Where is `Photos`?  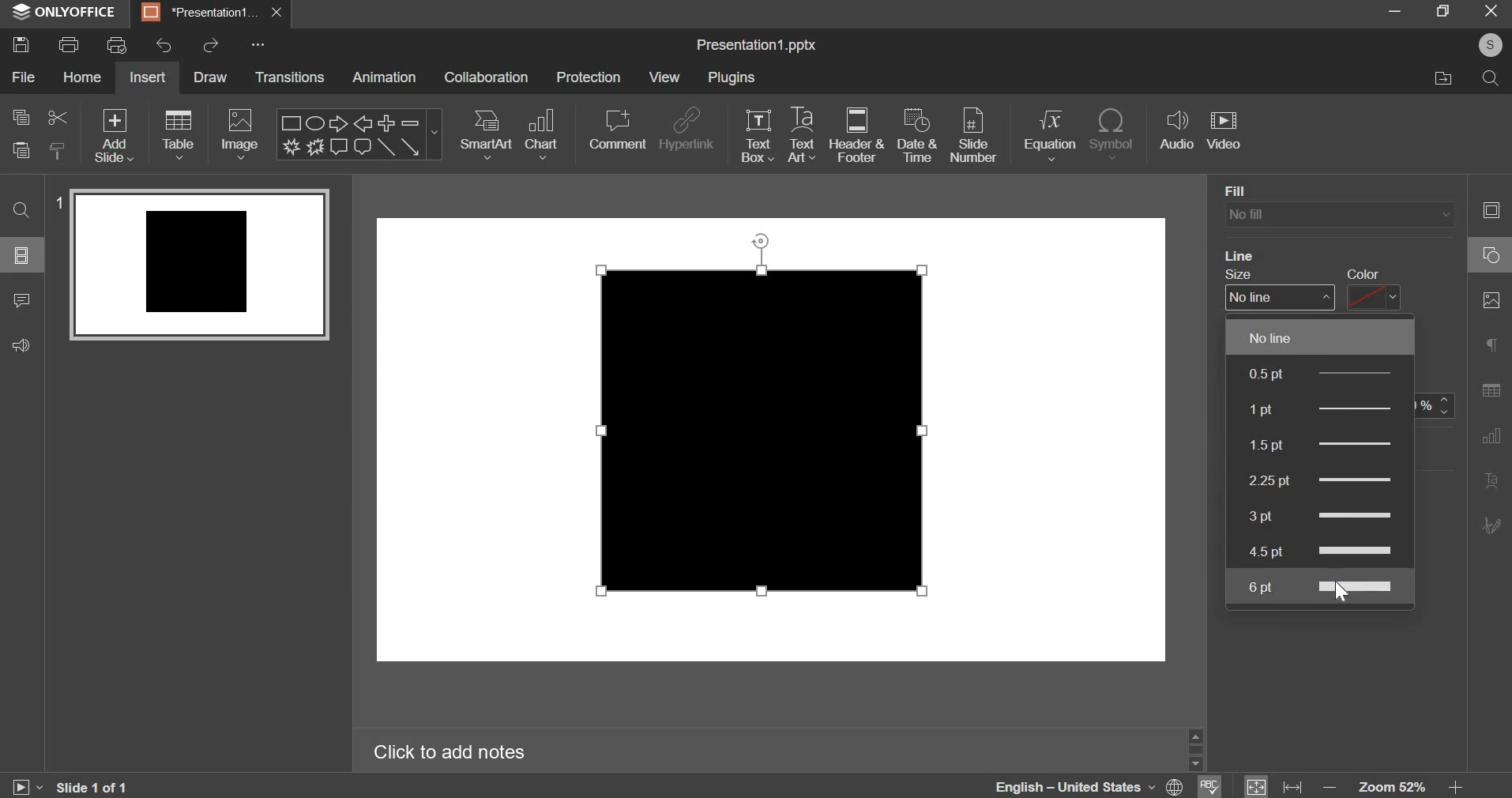 Photos is located at coordinates (1490, 302).